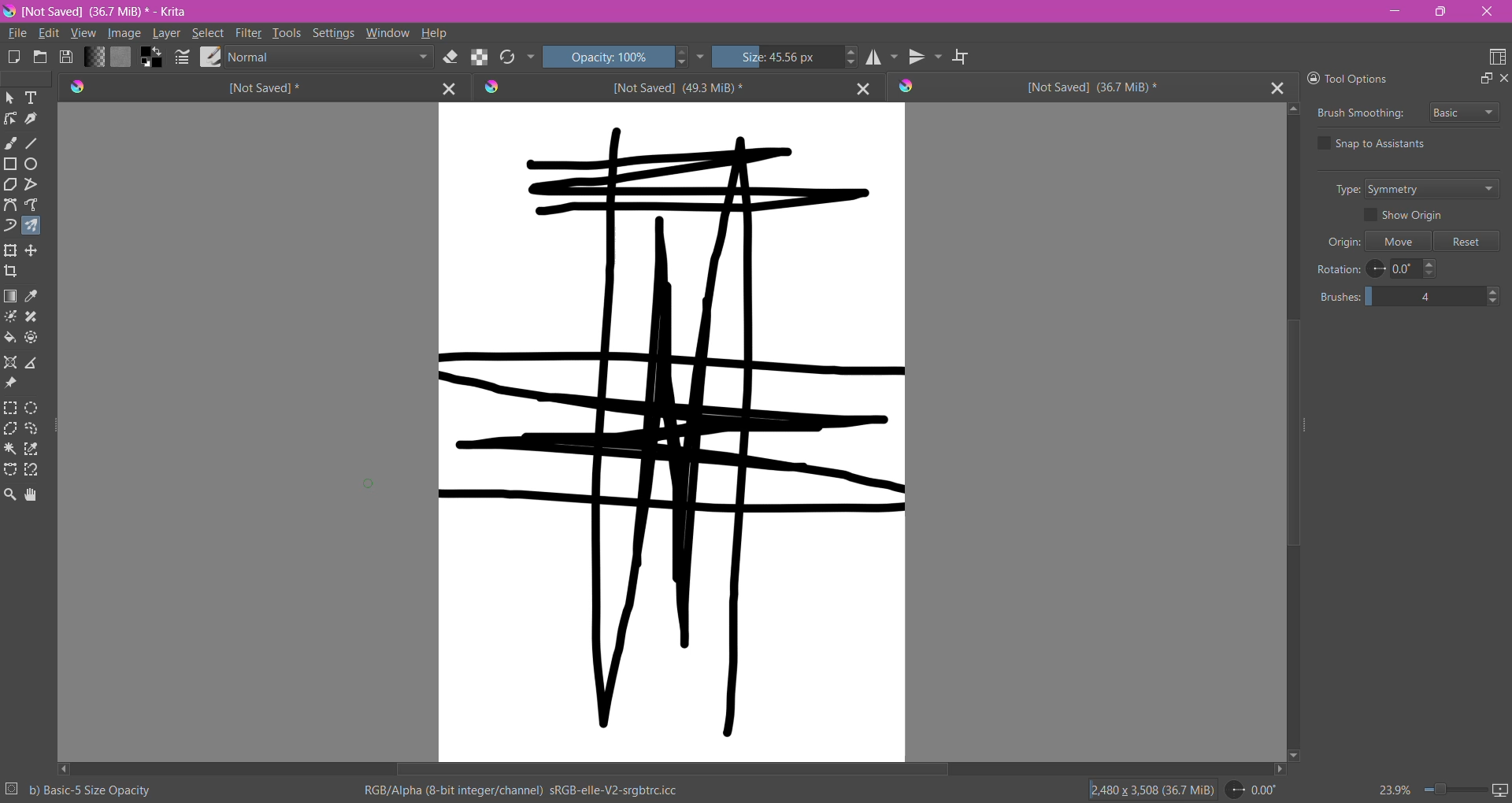 The width and height of the screenshot is (1512, 803). What do you see at coordinates (776, 57) in the screenshot?
I see `Set the Brush Size` at bounding box center [776, 57].